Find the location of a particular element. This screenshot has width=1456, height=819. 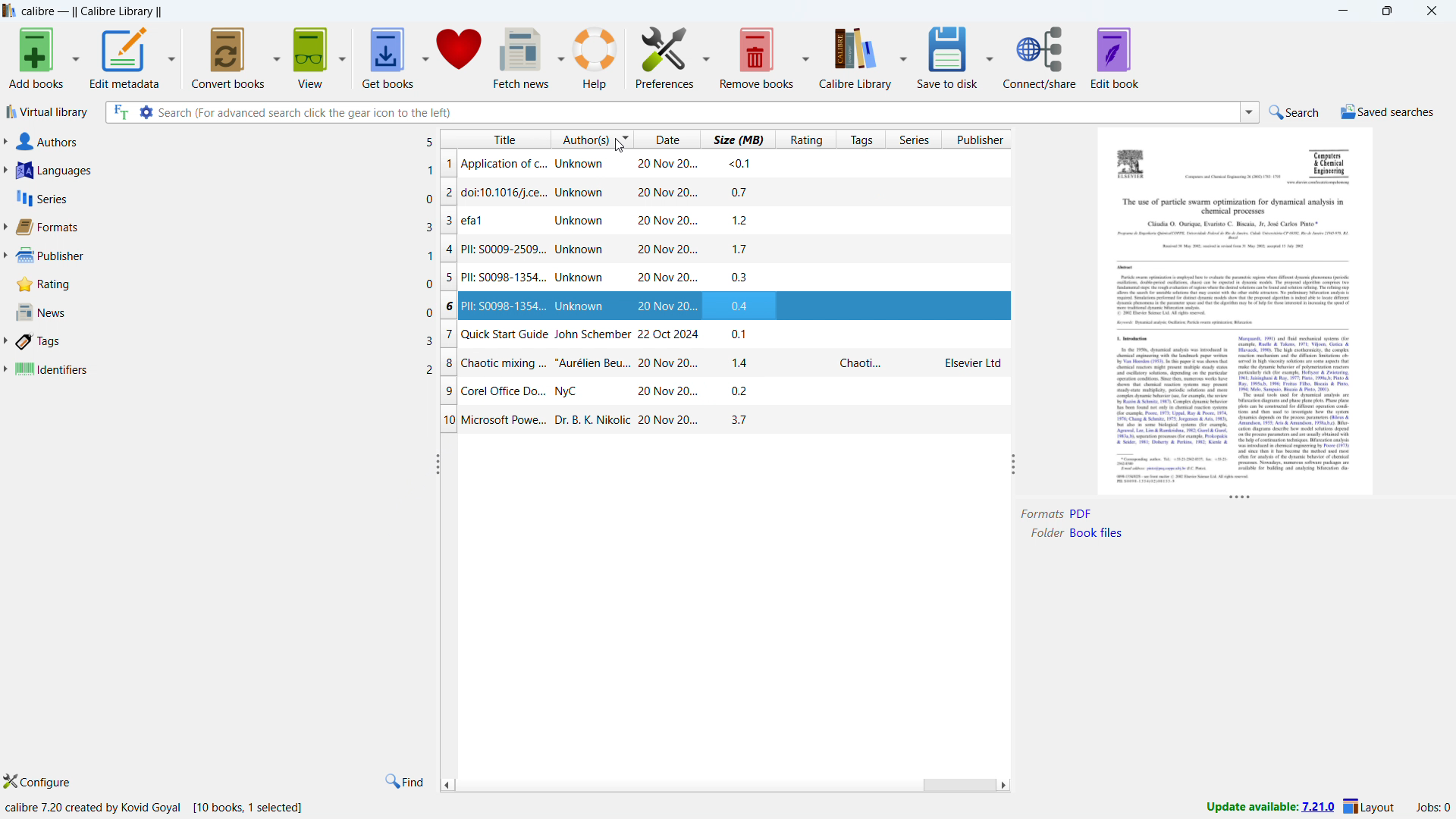

Format: is located at coordinates (1040, 514).